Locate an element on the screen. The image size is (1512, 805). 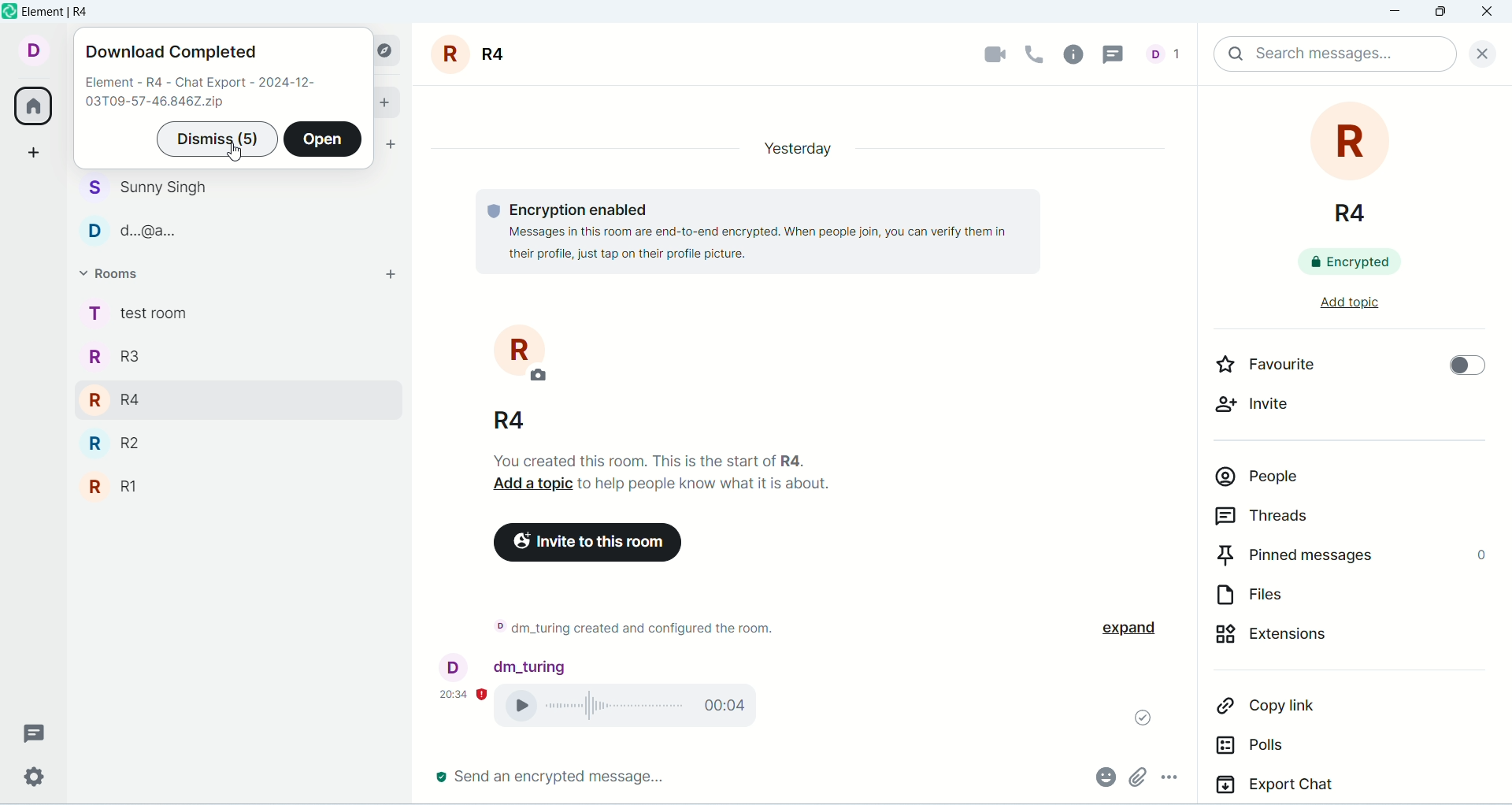
minimize is located at coordinates (1398, 13).